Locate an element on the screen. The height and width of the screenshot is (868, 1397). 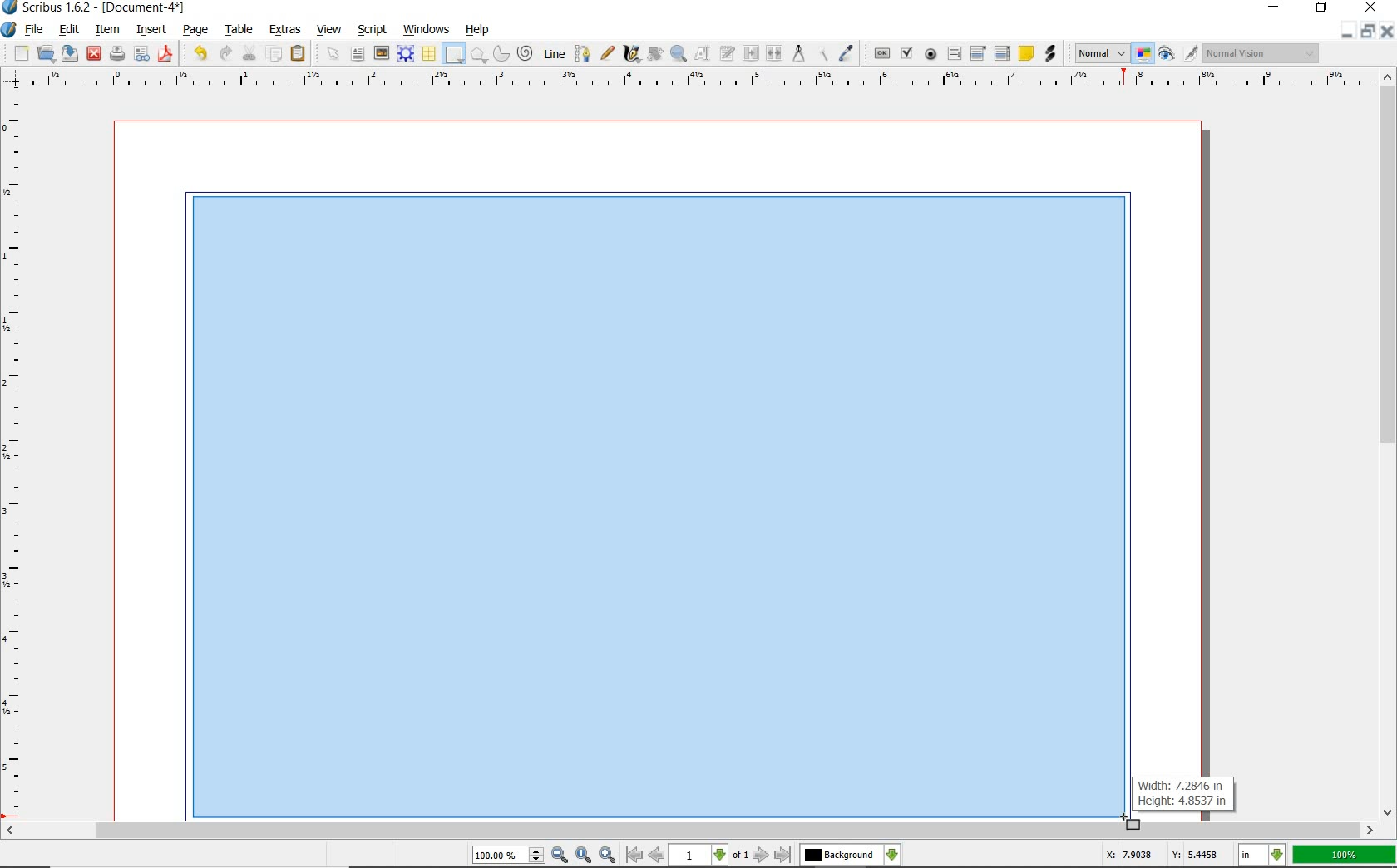
in is located at coordinates (1262, 855).